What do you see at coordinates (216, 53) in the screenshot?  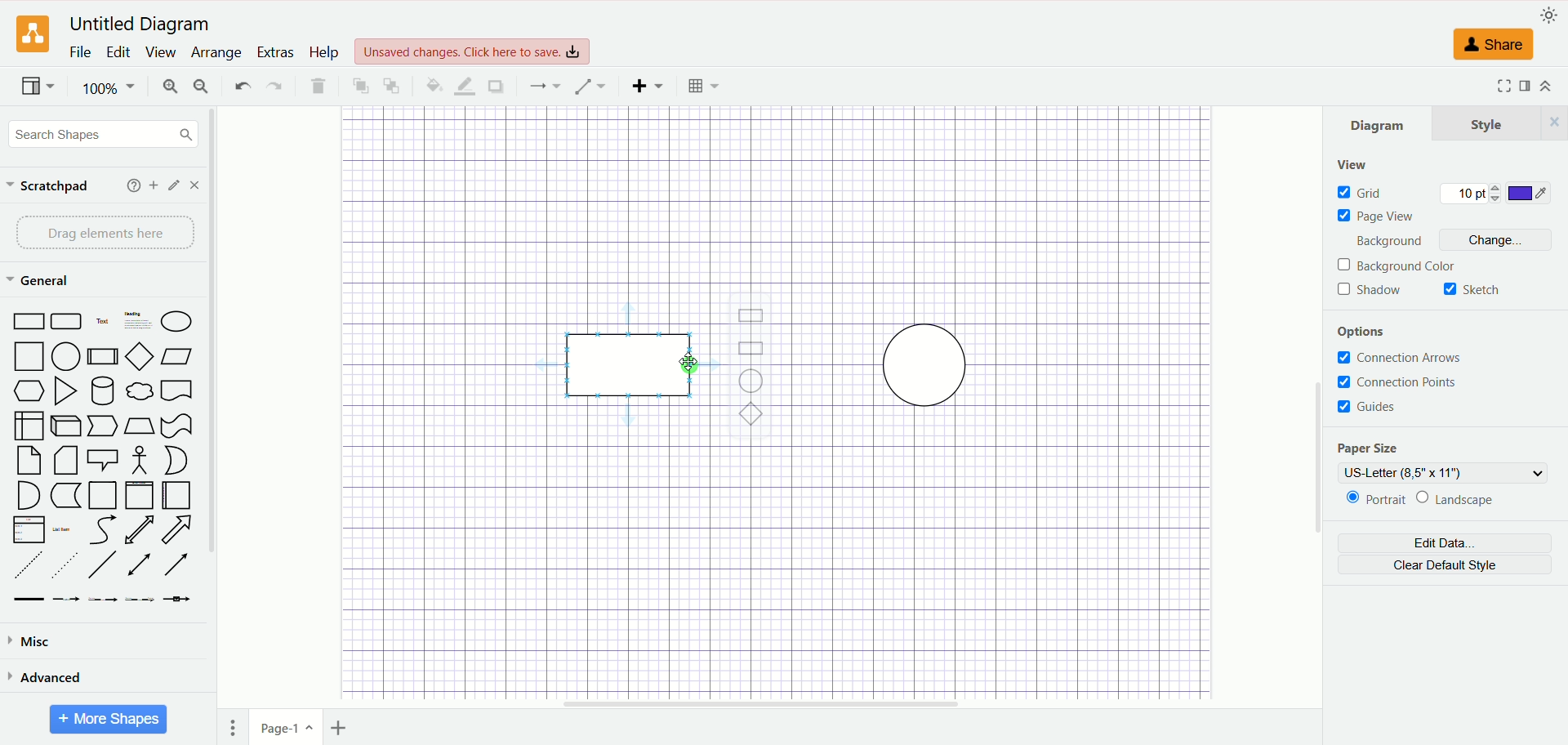 I see `arrange` at bounding box center [216, 53].